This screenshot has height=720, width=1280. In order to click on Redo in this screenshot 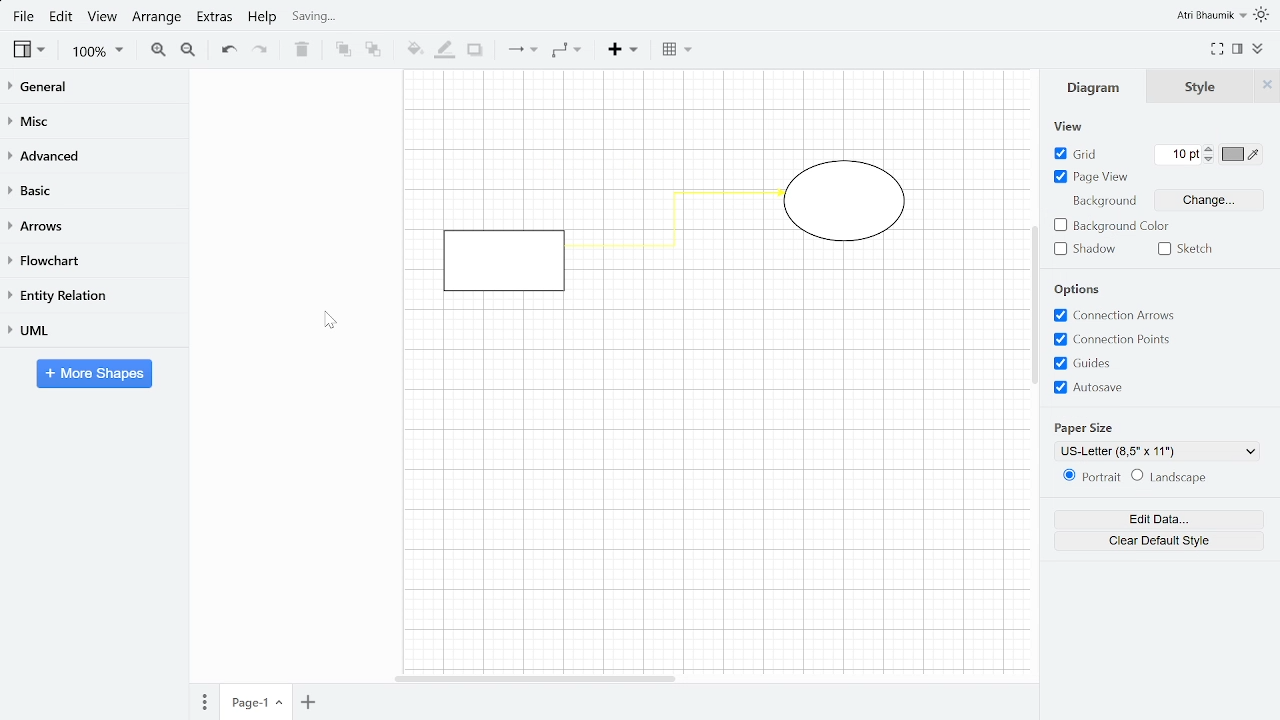, I will do `click(260, 50)`.